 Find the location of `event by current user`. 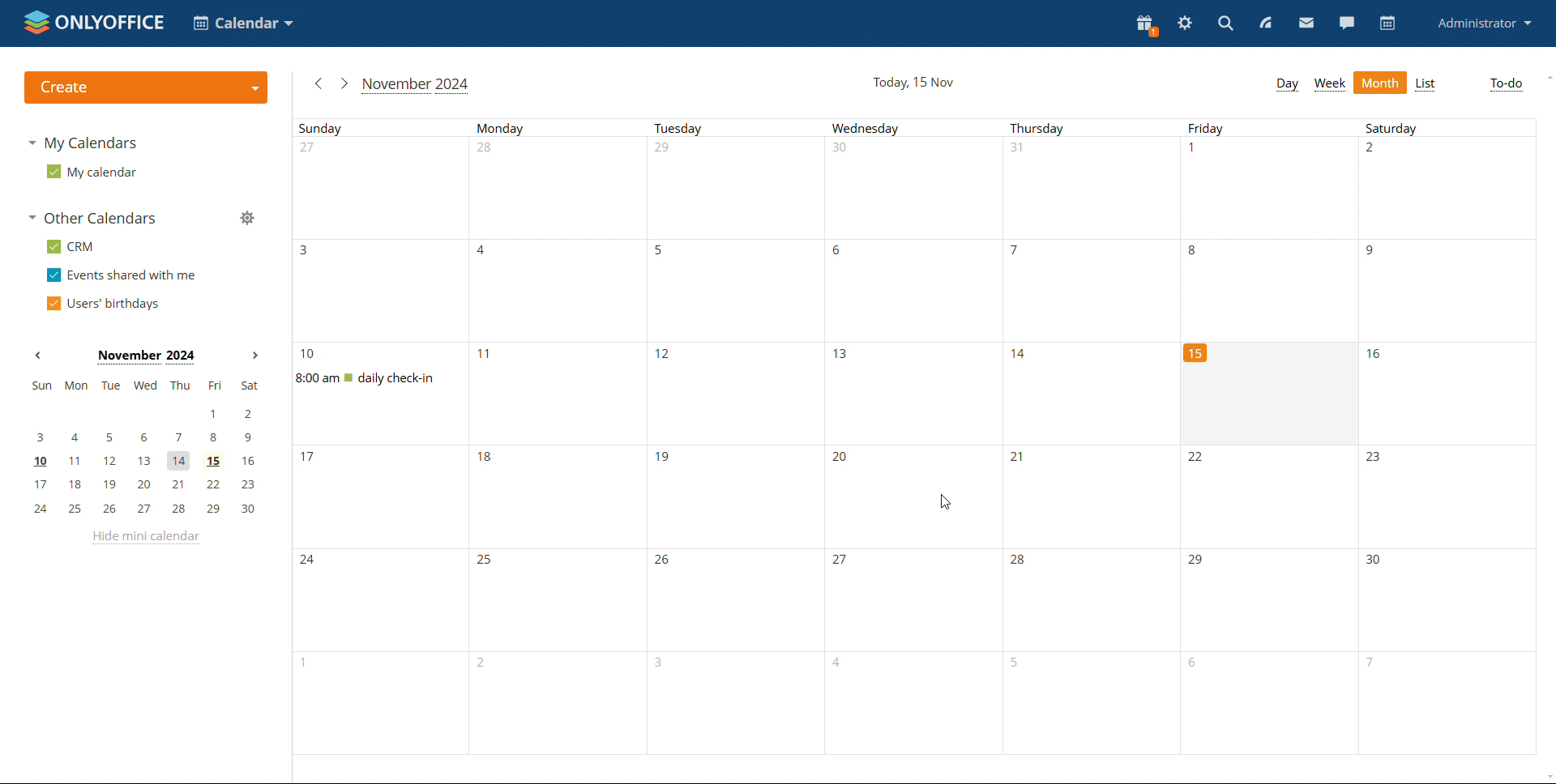

event by current user is located at coordinates (388, 378).